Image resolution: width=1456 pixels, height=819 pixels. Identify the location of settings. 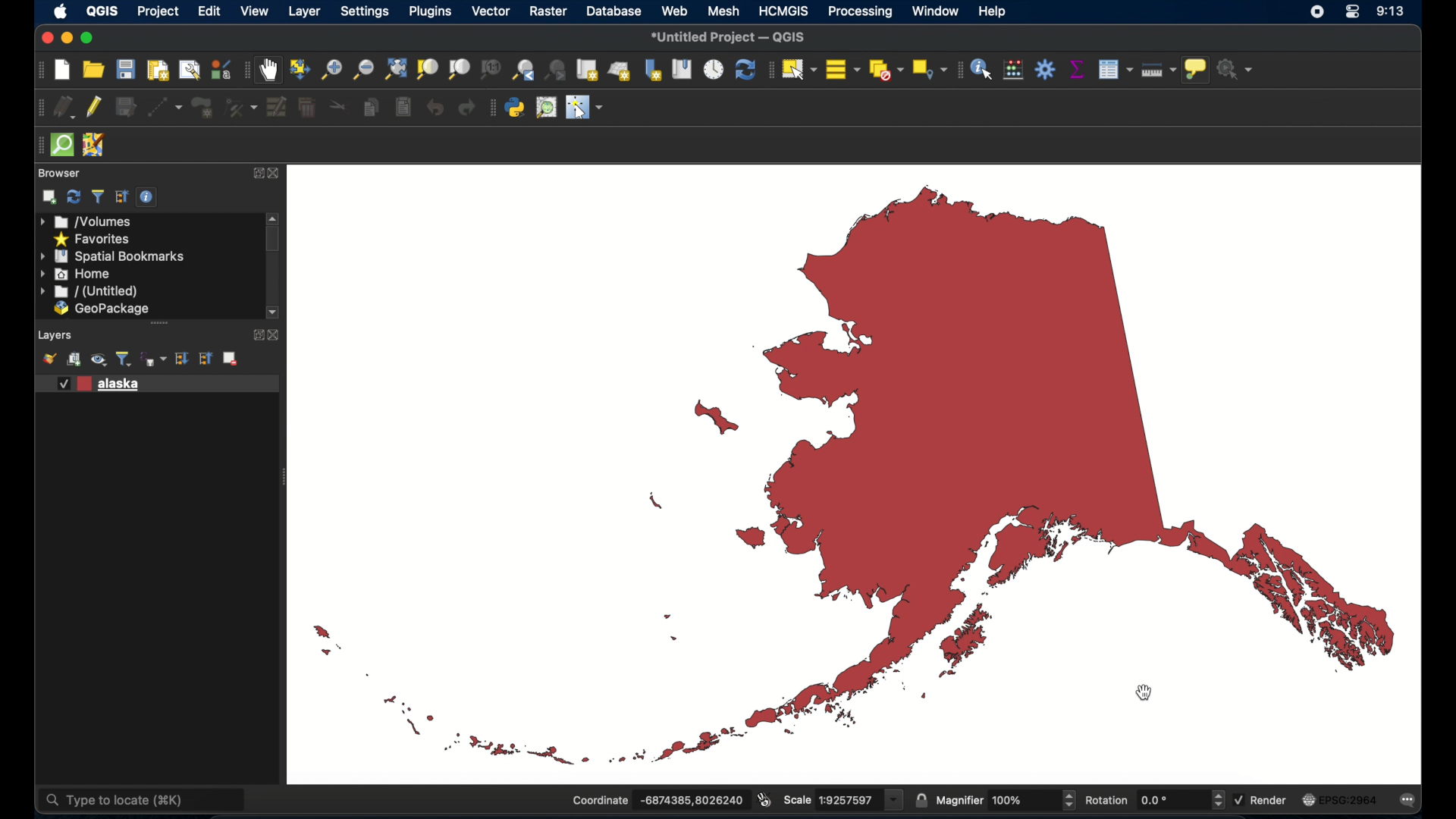
(363, 11).